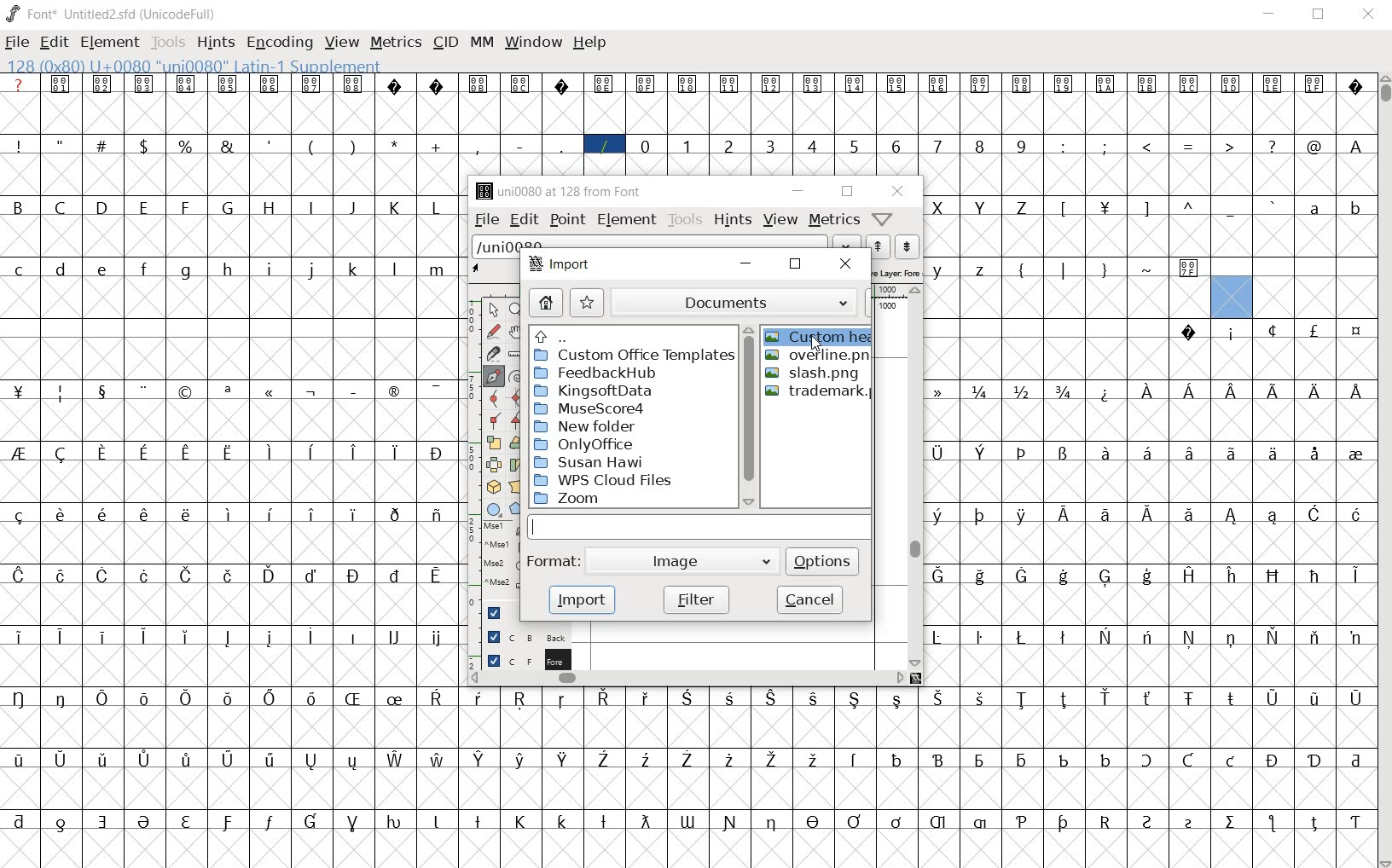 This screenshot has height=868, width=1392. I want to click on glyph, so click(187, 759).